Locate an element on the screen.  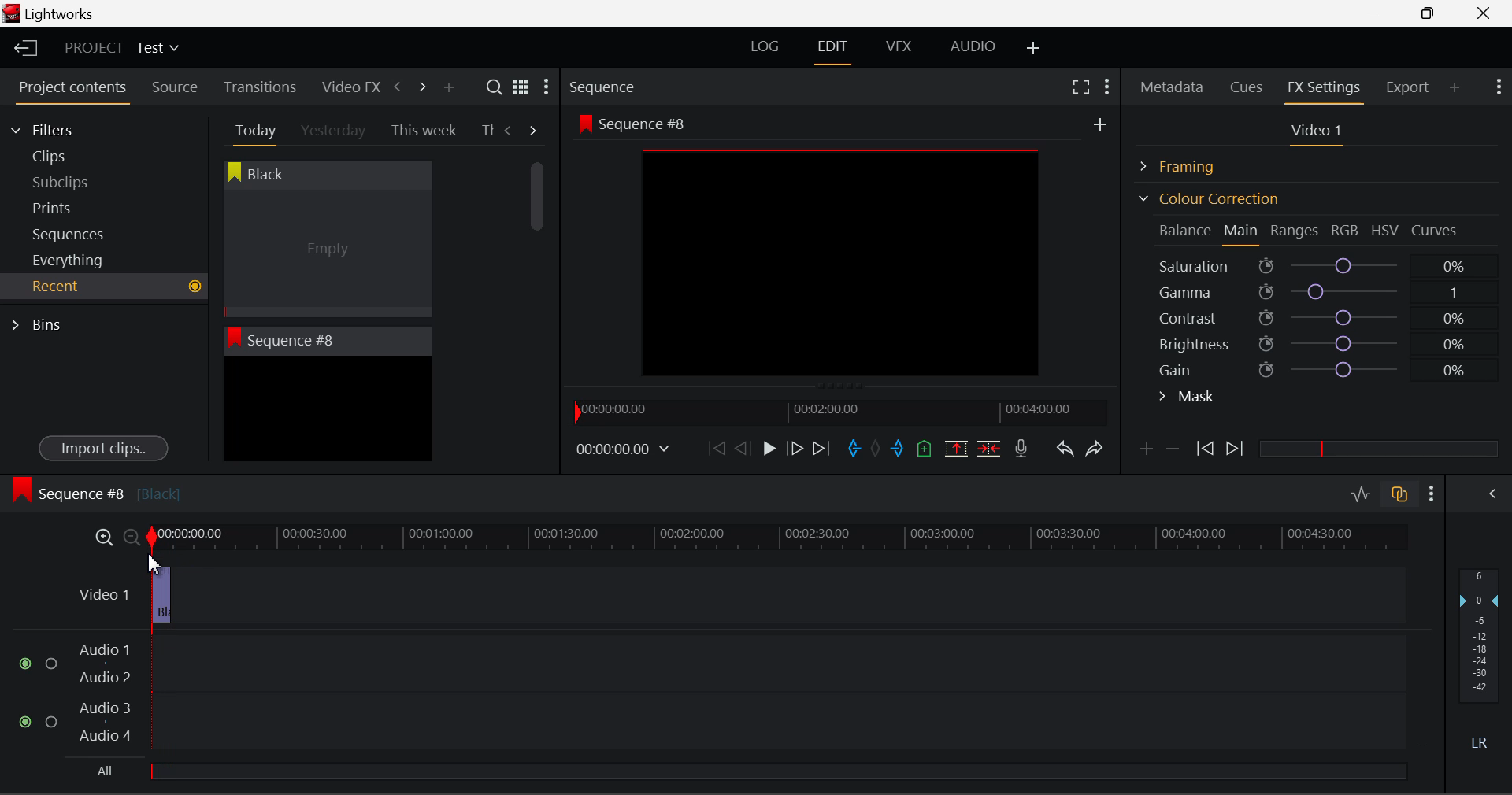
Next keyframe is located at coordinates (1236, 449).